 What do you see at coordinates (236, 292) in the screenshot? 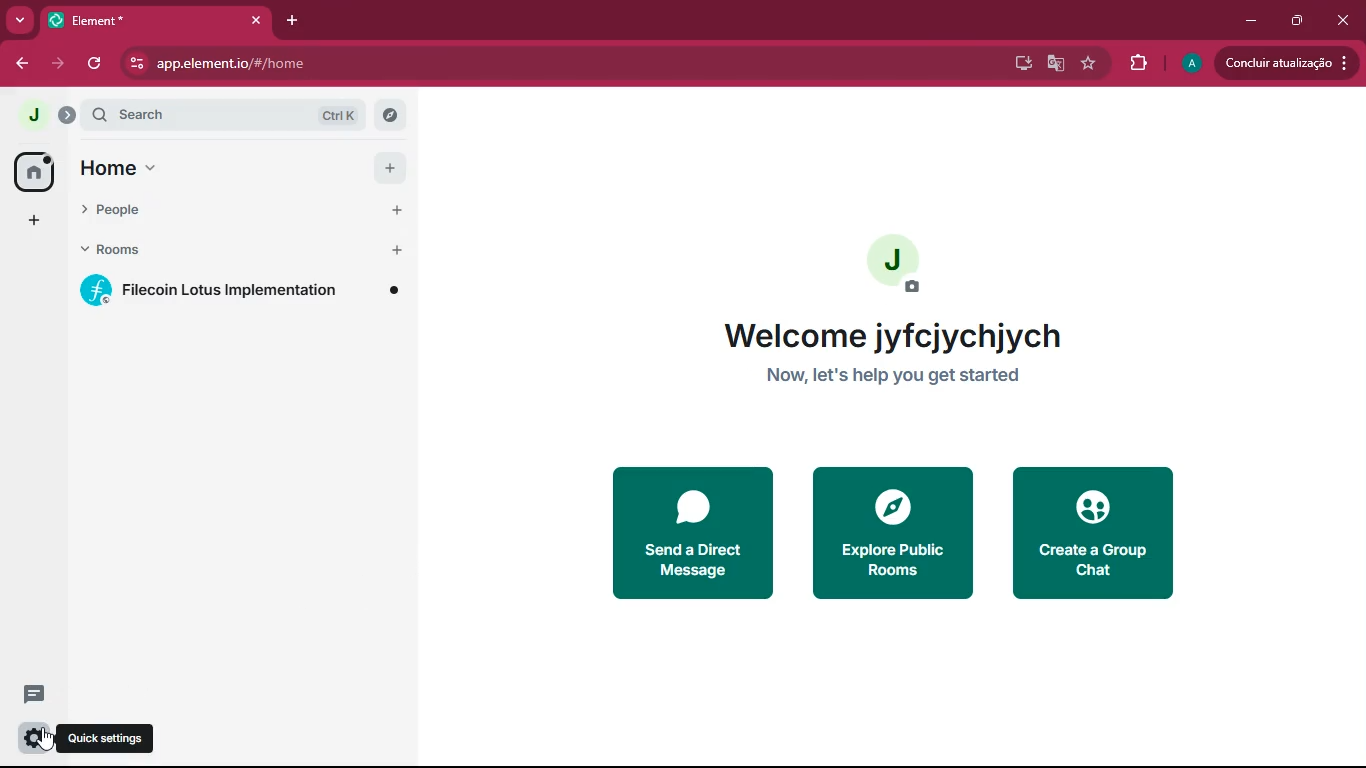
I see `filecoin lotus implementation` at bounding box center [236, 292].